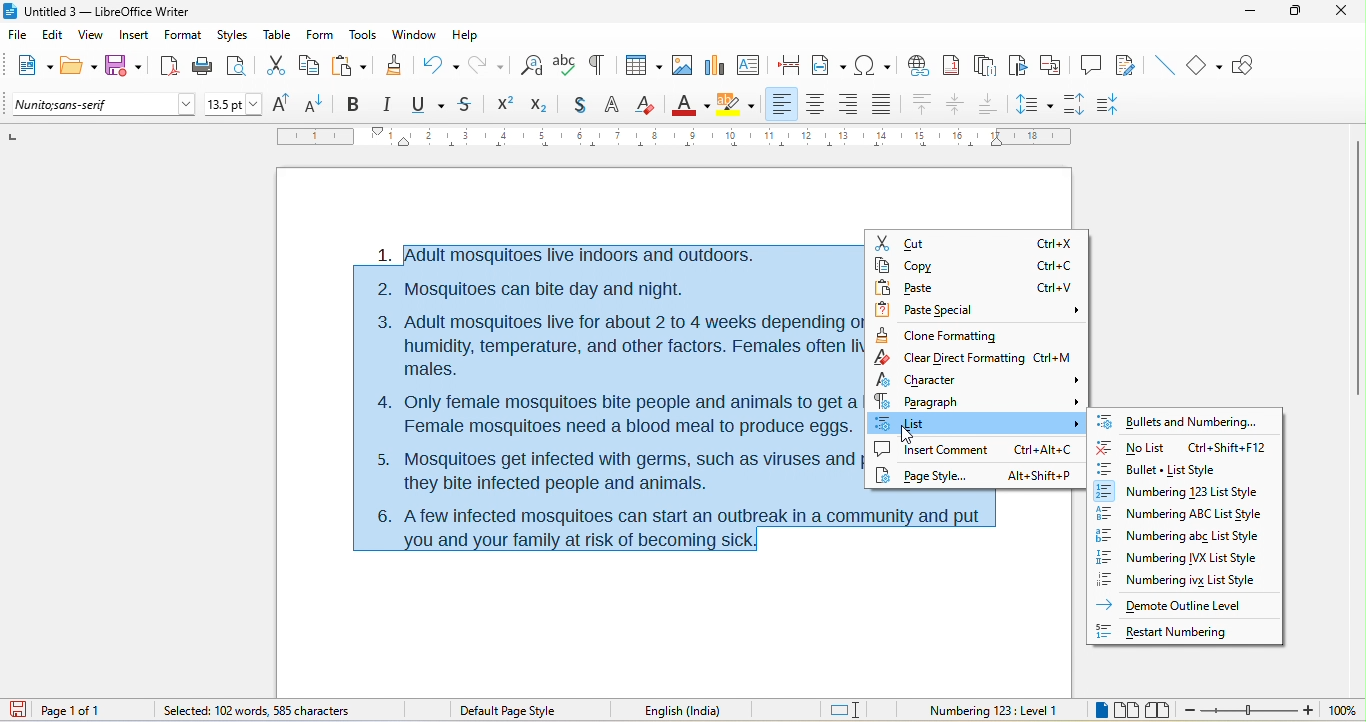 This screenshot has height=722, width=1366. I want to click on Demote Outline Level, so click(1175, 604).